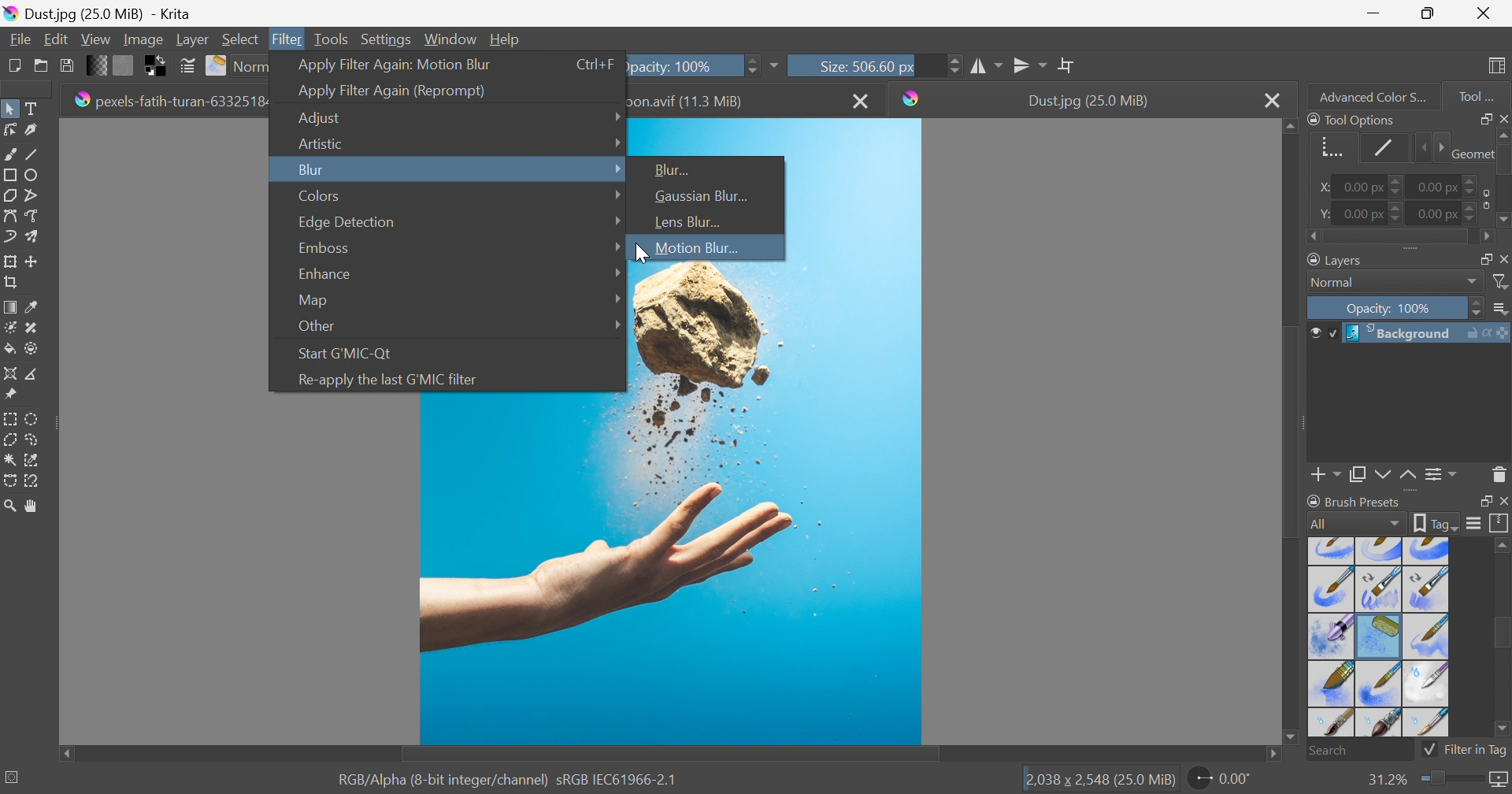 This screenshot has height=794, width=1512. What do you see at coordinates (1483, 198) in the screenshot?
I see `Icon` at bounding box center [1483, 198].